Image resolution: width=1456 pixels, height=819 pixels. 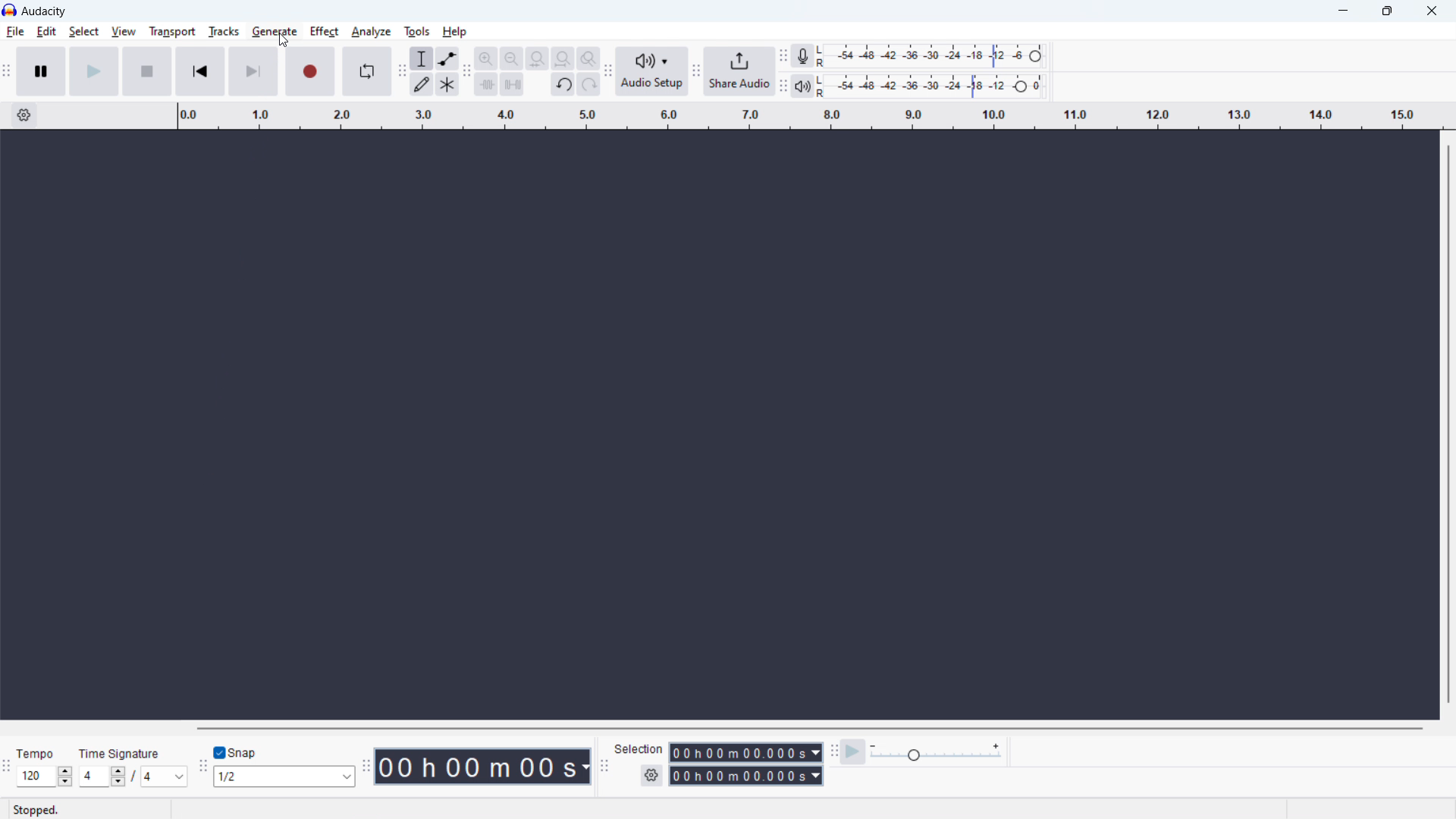 I want to click on time toolbar, so click(x=368, y=765).